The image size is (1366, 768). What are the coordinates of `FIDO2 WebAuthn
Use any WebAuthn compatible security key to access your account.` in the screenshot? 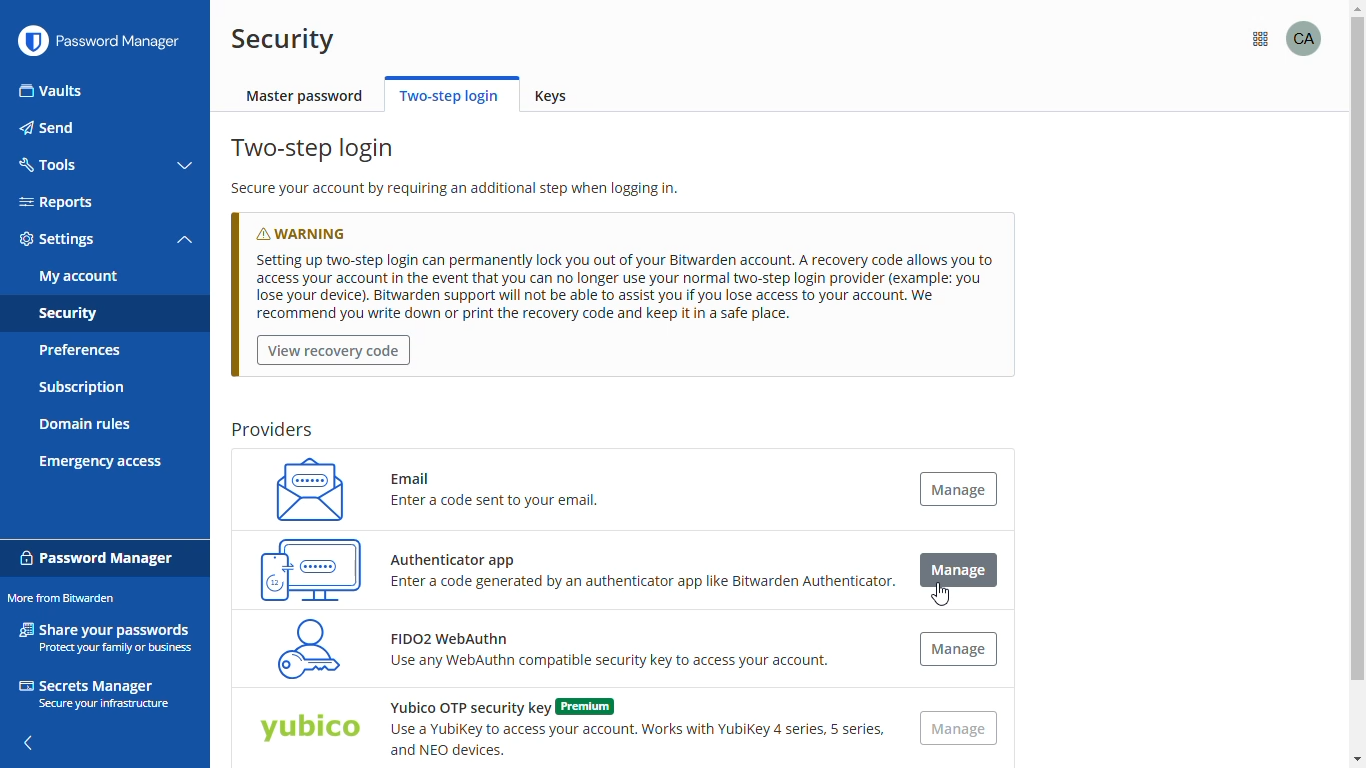 It's located at (615, 654).